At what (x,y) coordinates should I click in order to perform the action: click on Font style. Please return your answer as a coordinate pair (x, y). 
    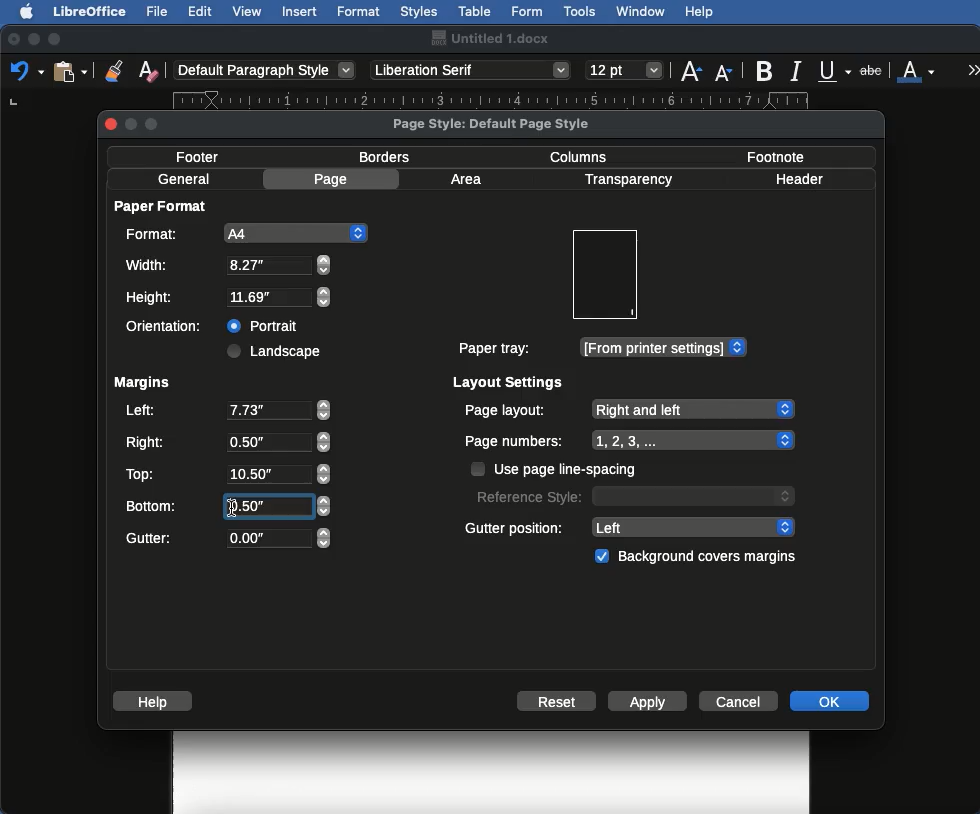
    Looking at the image, I should click on (472, 70).